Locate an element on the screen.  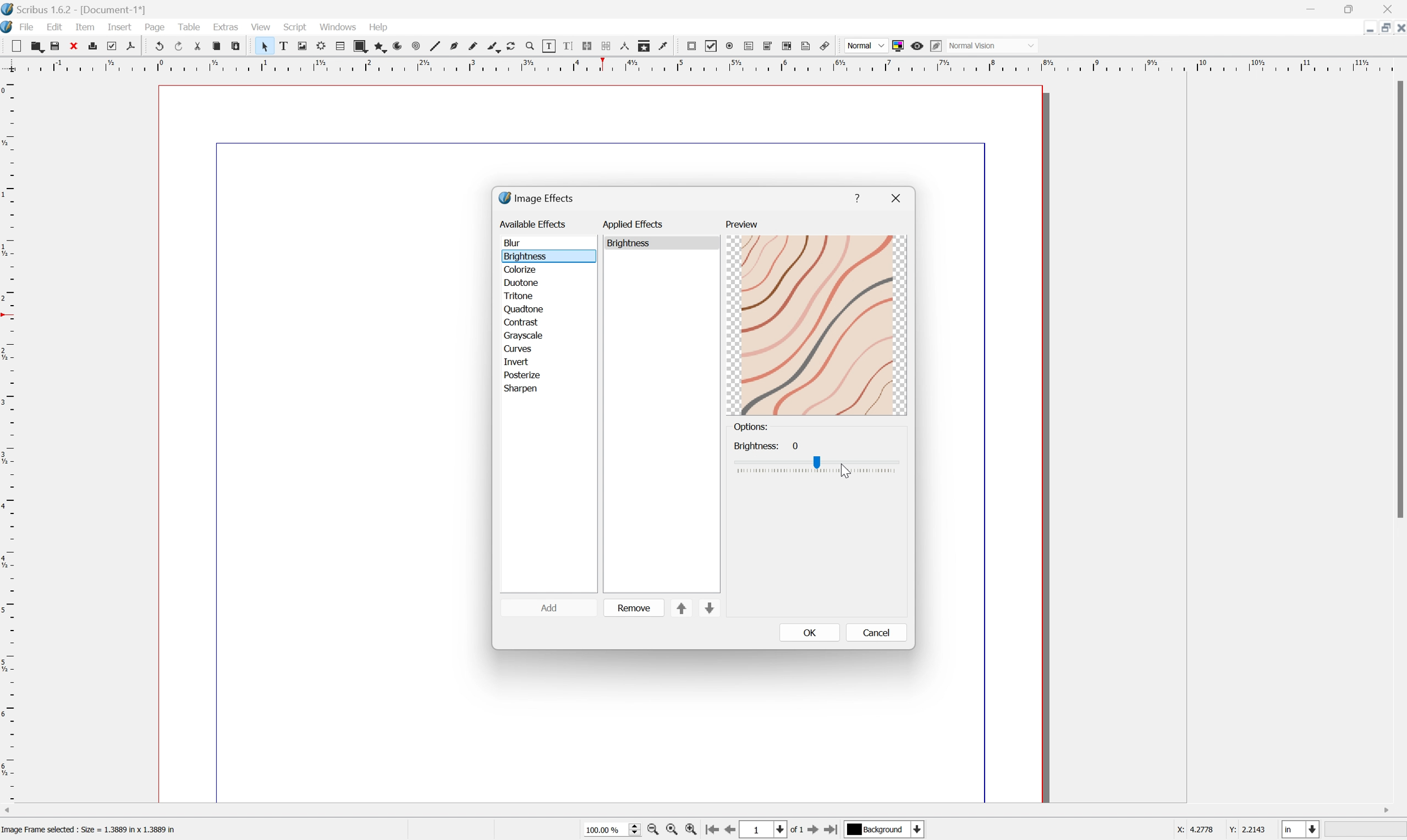
PDF checkbox is located at coordinates (712, 47).